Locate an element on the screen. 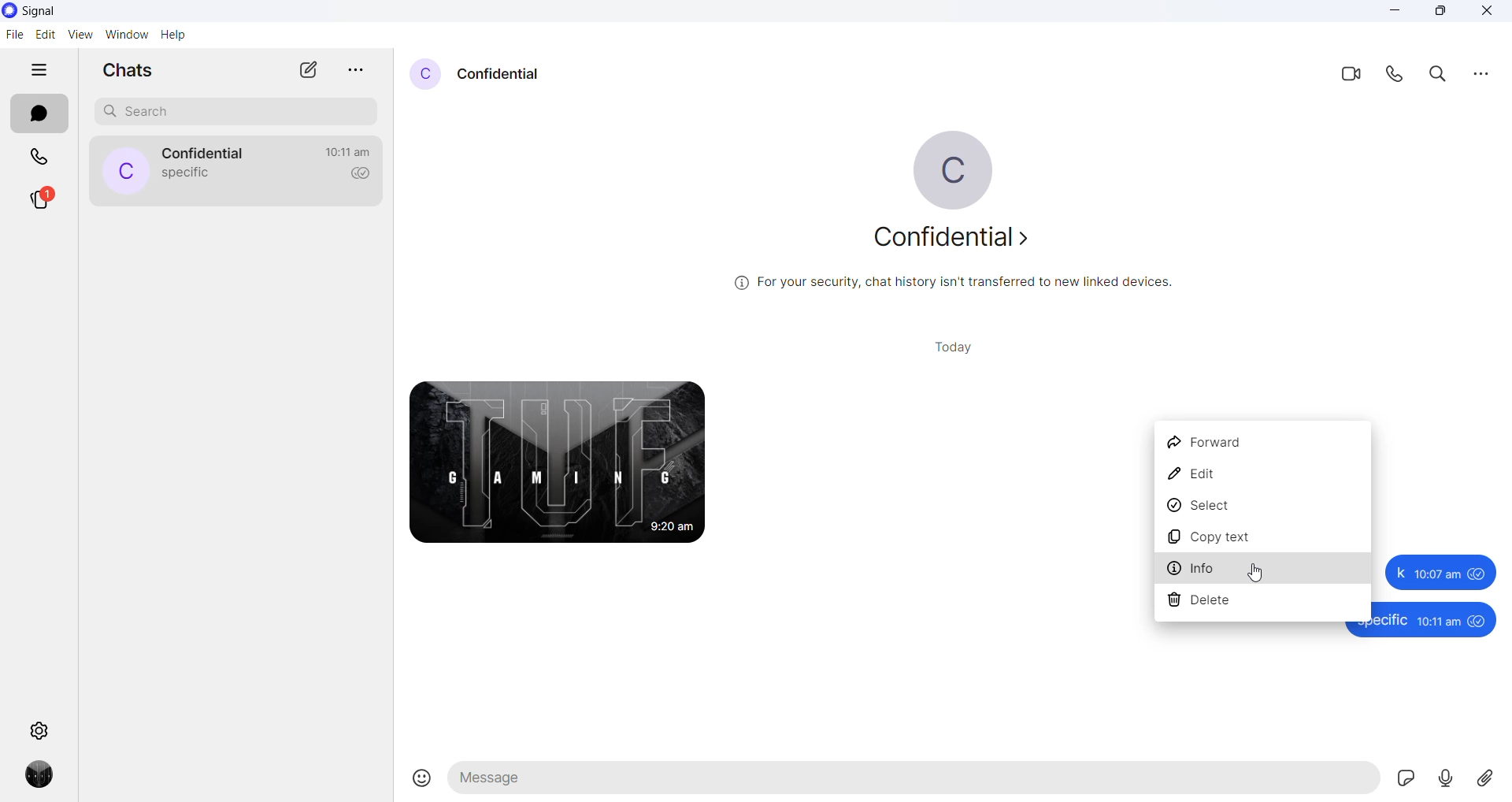 The image size is (1512, 802). voice mail is located at coordinates (1447, 778).